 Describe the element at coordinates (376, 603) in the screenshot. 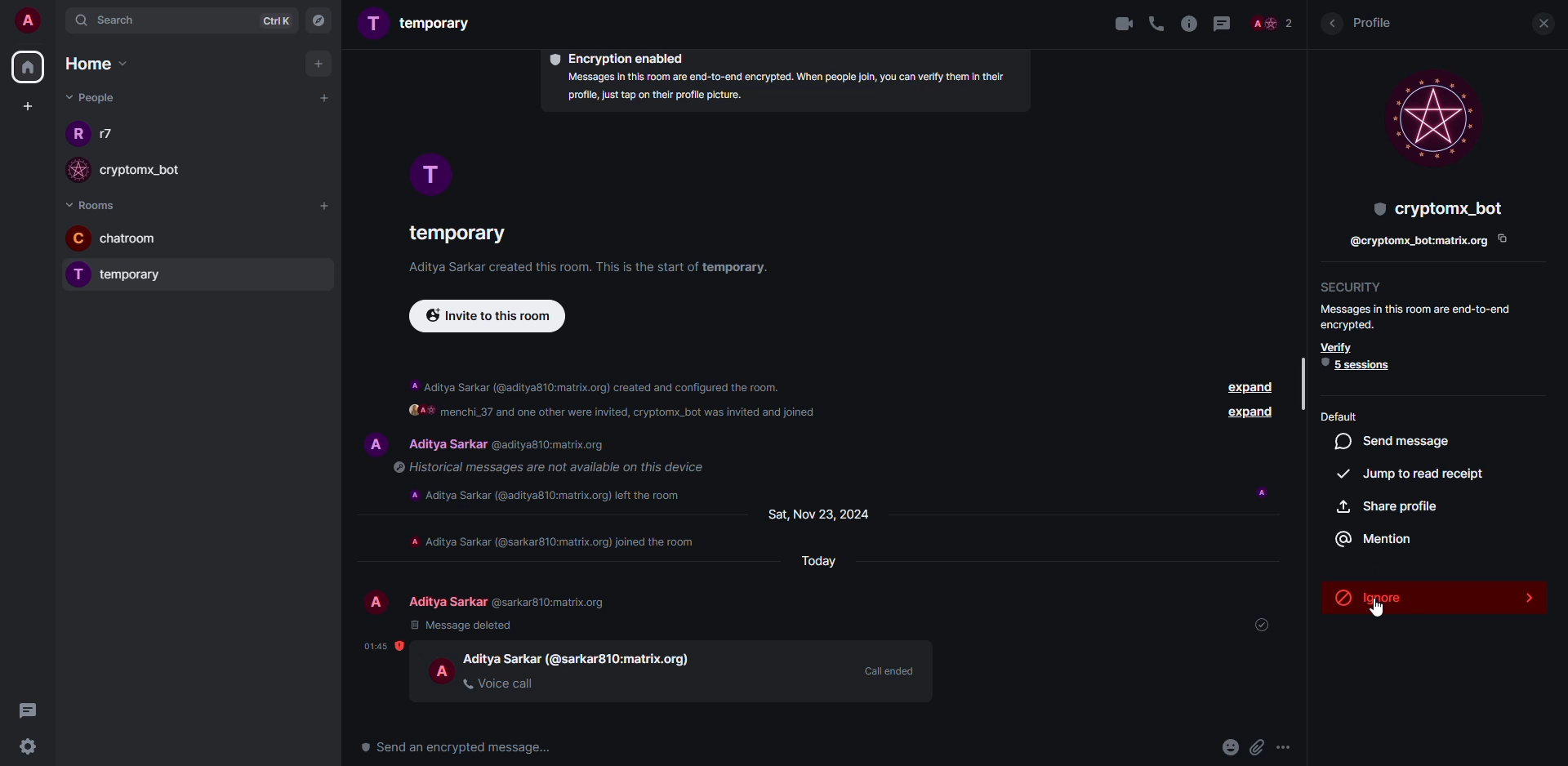

I see `profile` at that location.